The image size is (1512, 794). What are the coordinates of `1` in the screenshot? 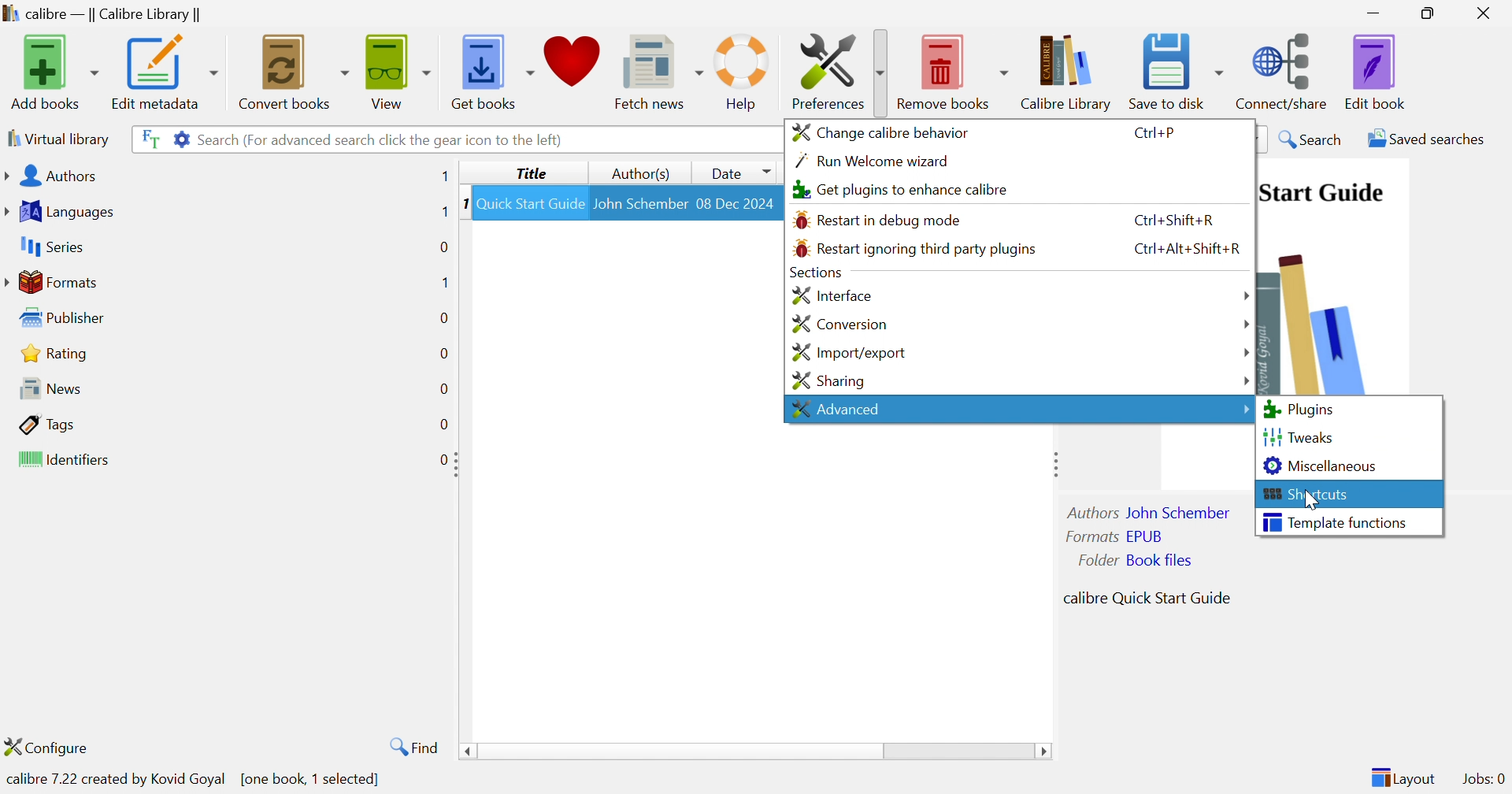 It's located at (444, 176).